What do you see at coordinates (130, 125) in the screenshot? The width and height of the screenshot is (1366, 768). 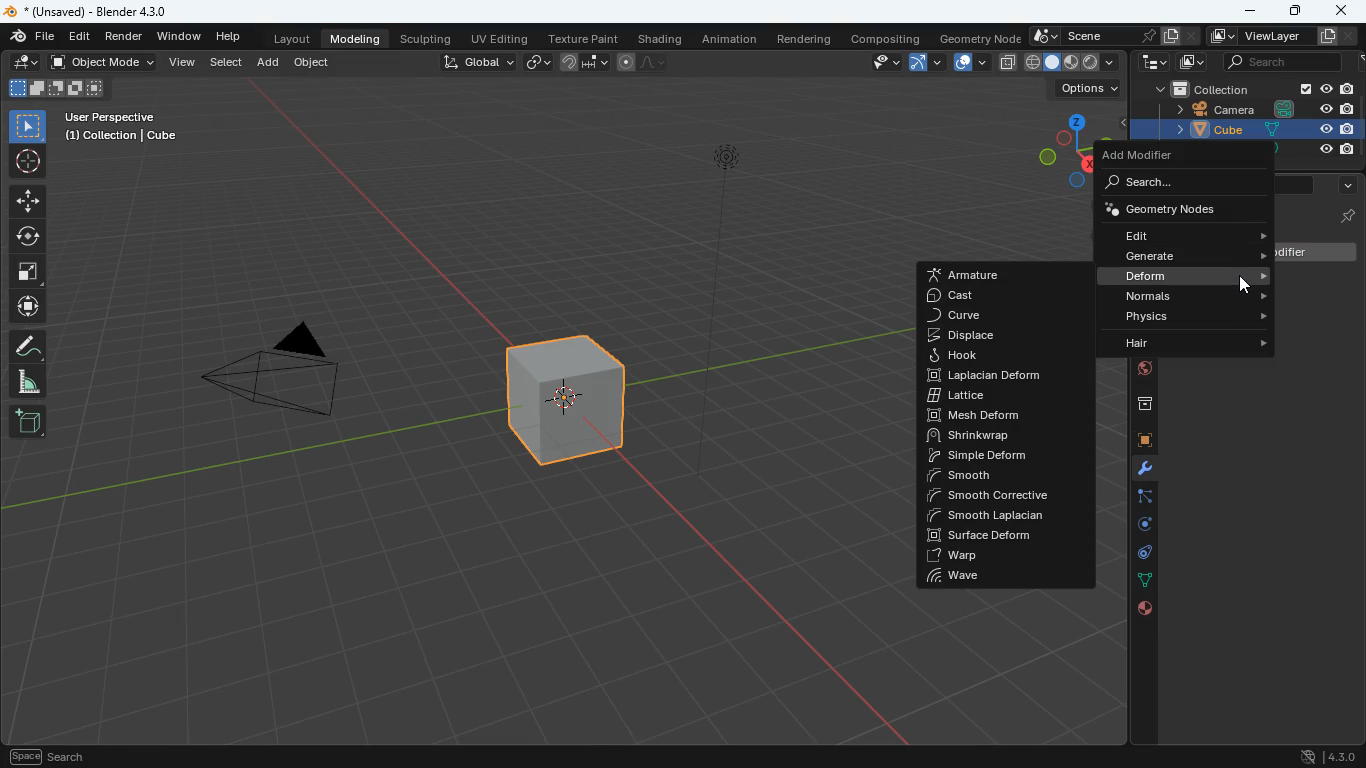 I see `user perspective` at bounding box center [130, 125].